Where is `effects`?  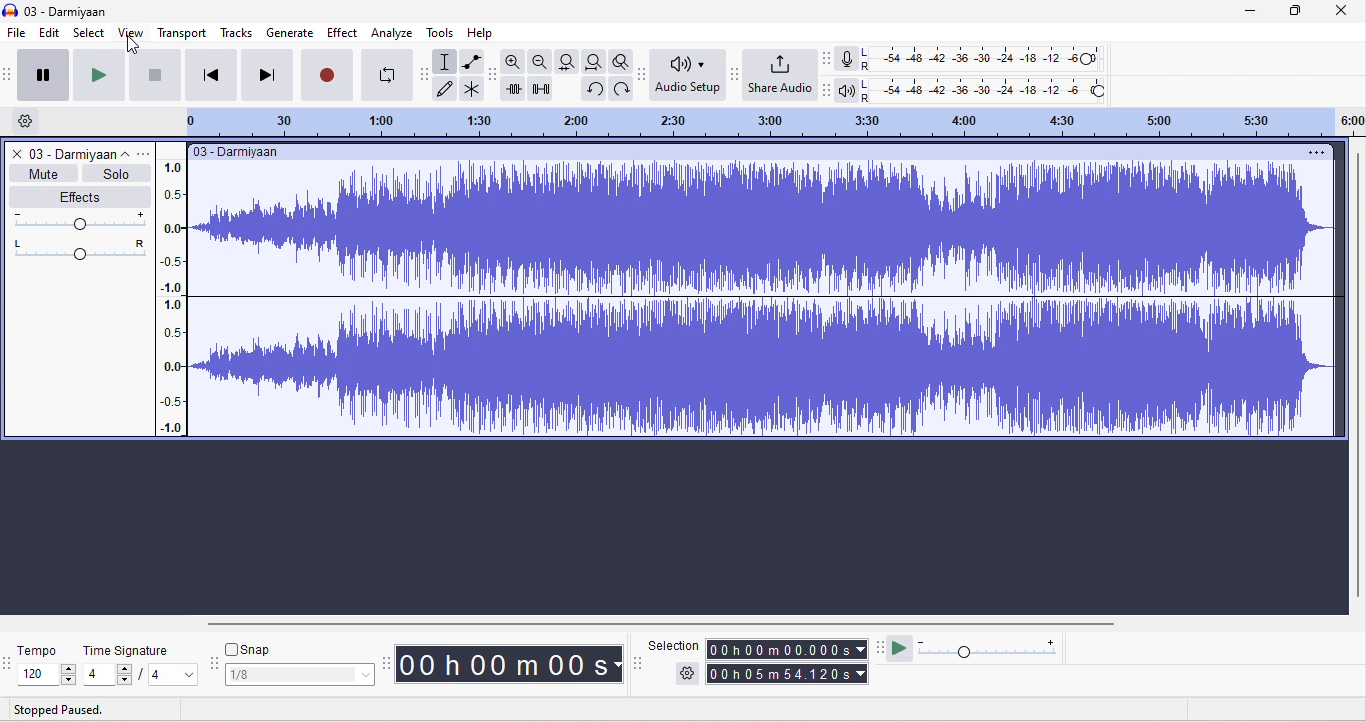 effects is located at coordinates (79, 196).